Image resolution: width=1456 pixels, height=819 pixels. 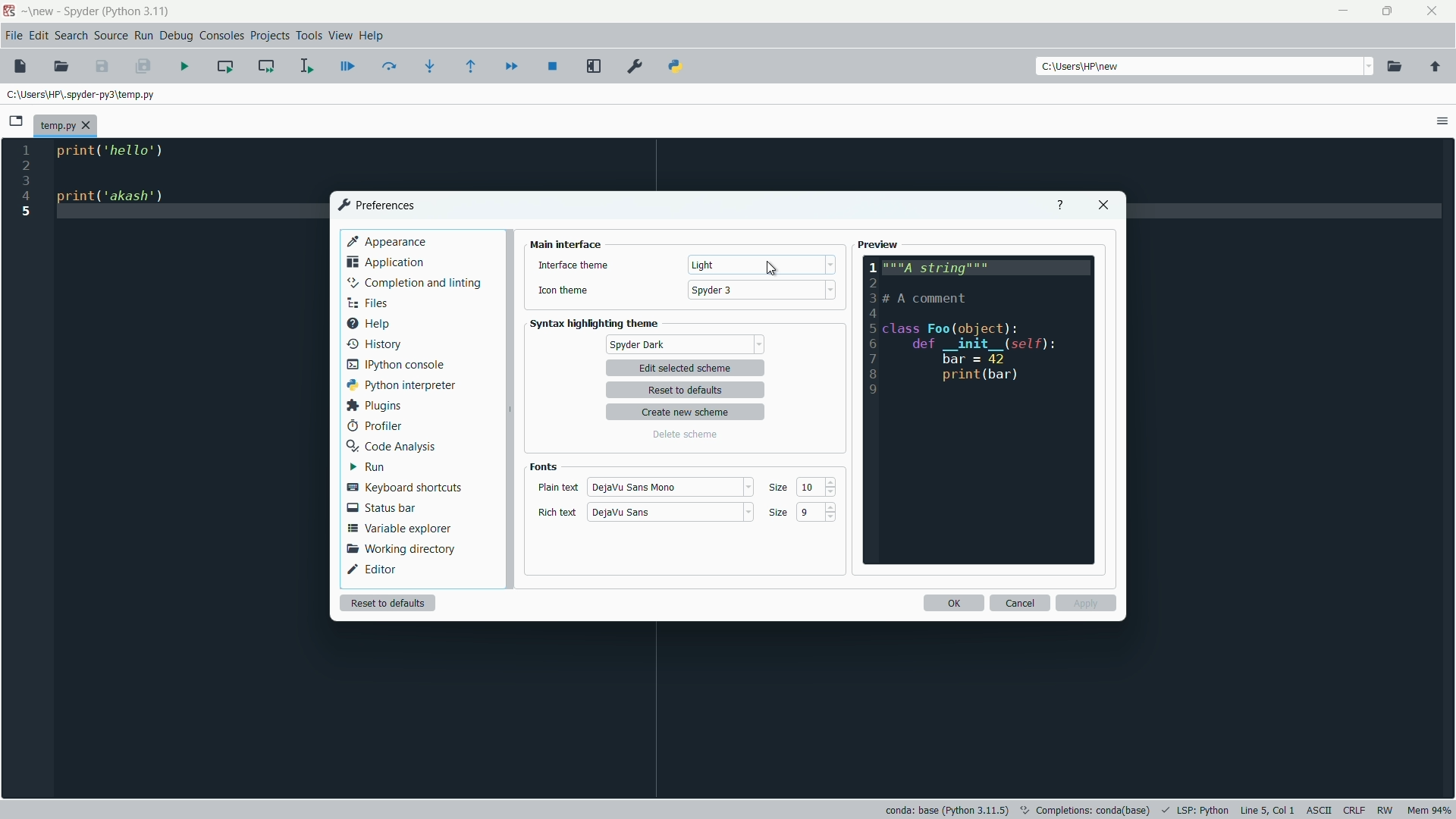 What do you see at coordinates (1353, 811) in the screenshot?
I see `file eol status` at bounding box center [1353, 811].